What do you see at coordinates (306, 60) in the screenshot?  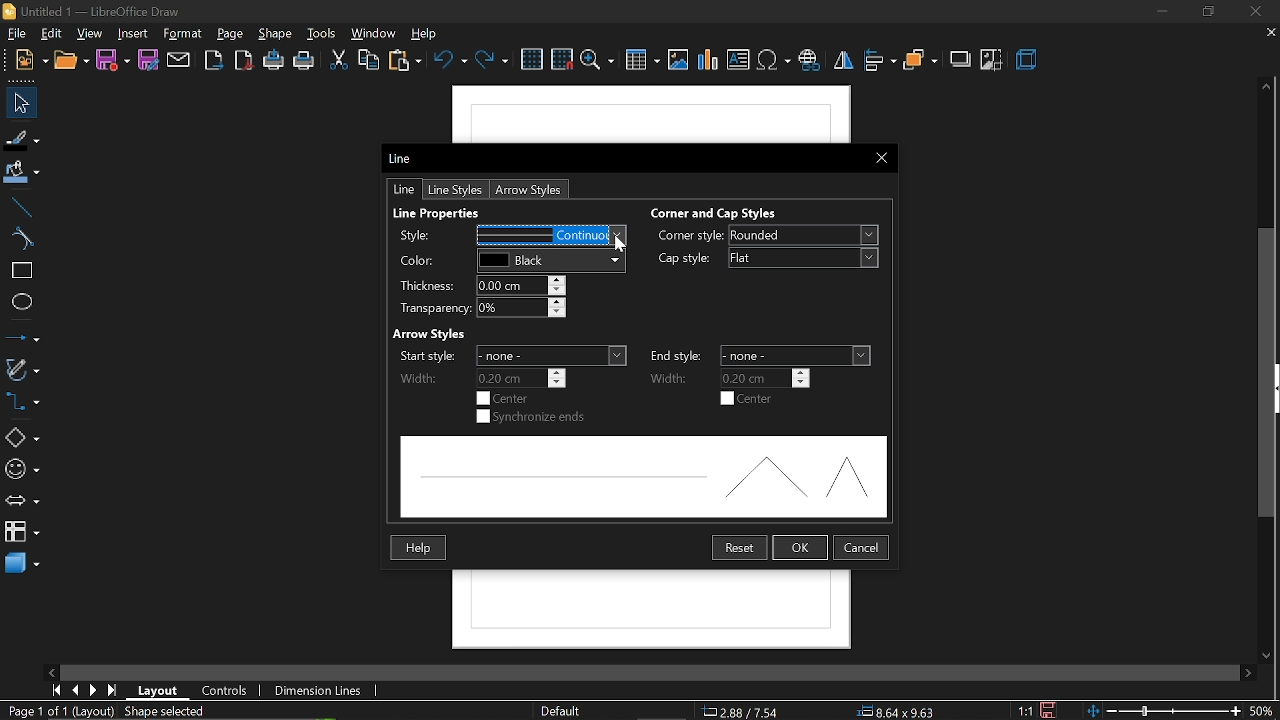 I see `print` at bounding box center [306, 60].